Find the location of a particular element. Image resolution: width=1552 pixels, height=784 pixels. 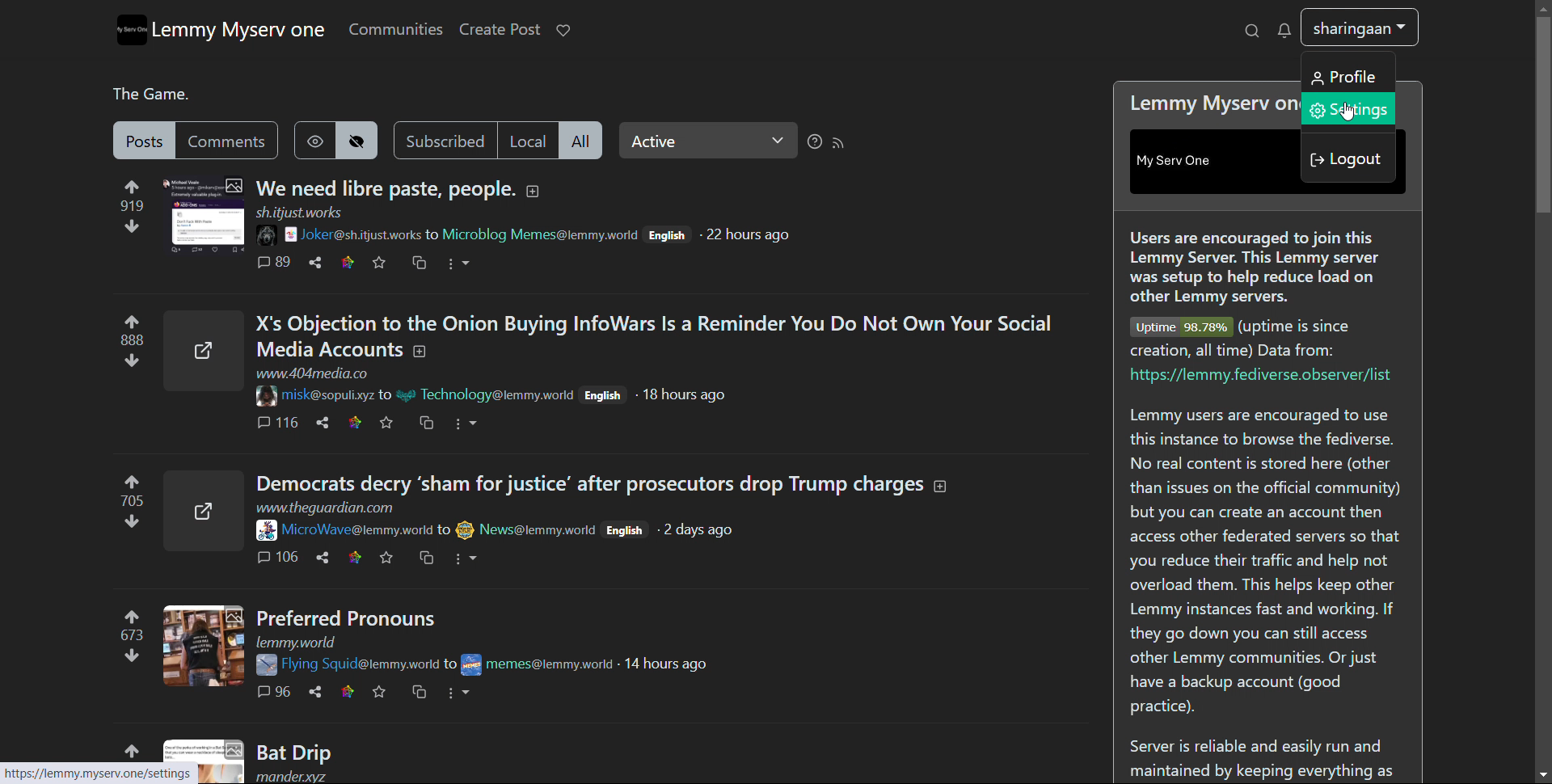

scrollbar is located at coordinates (1544, 388).